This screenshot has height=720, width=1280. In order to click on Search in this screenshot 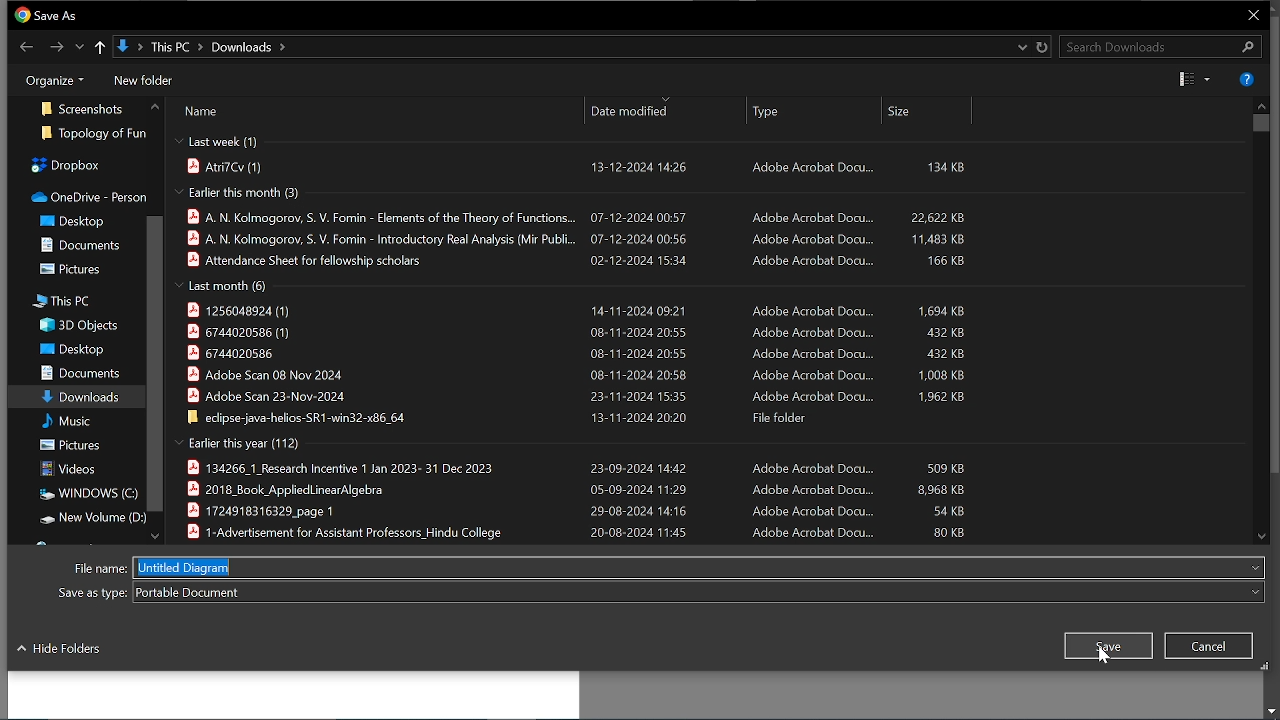, I will do `click(1166, 47)`.